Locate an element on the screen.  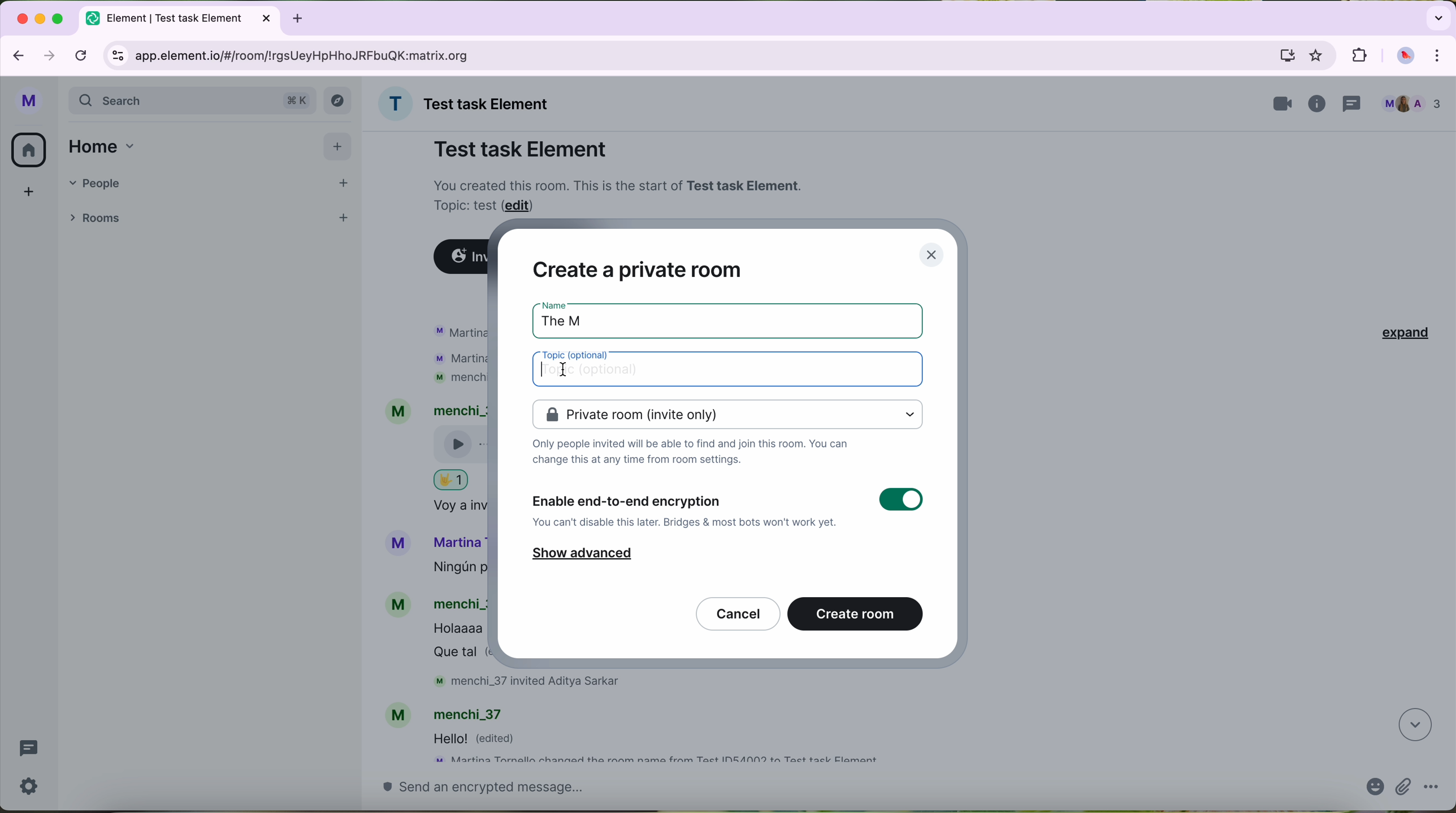
search bar is located at coordinates (193, 102).